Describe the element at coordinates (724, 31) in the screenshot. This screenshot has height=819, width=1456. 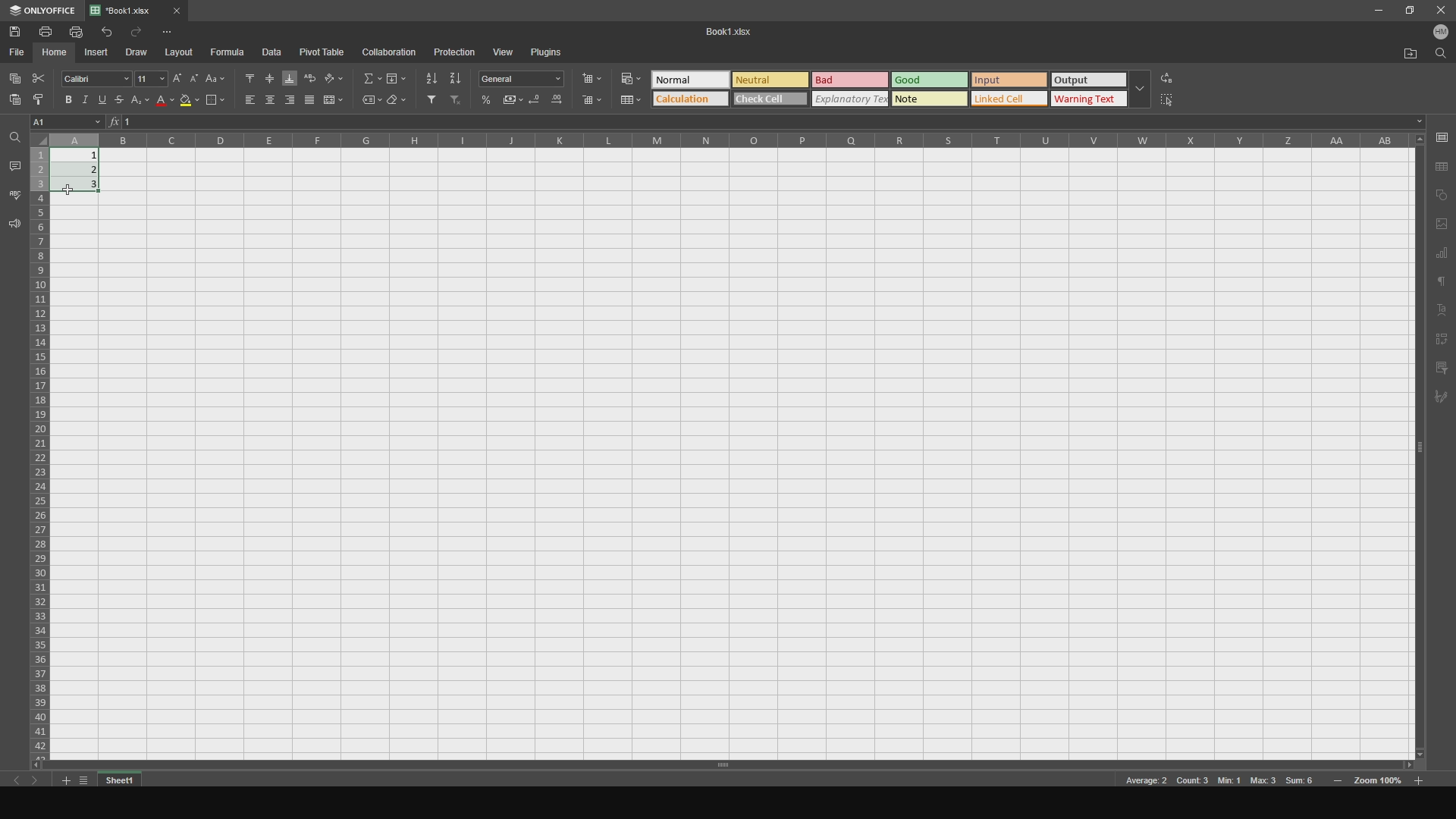
I see `title name` at that location.